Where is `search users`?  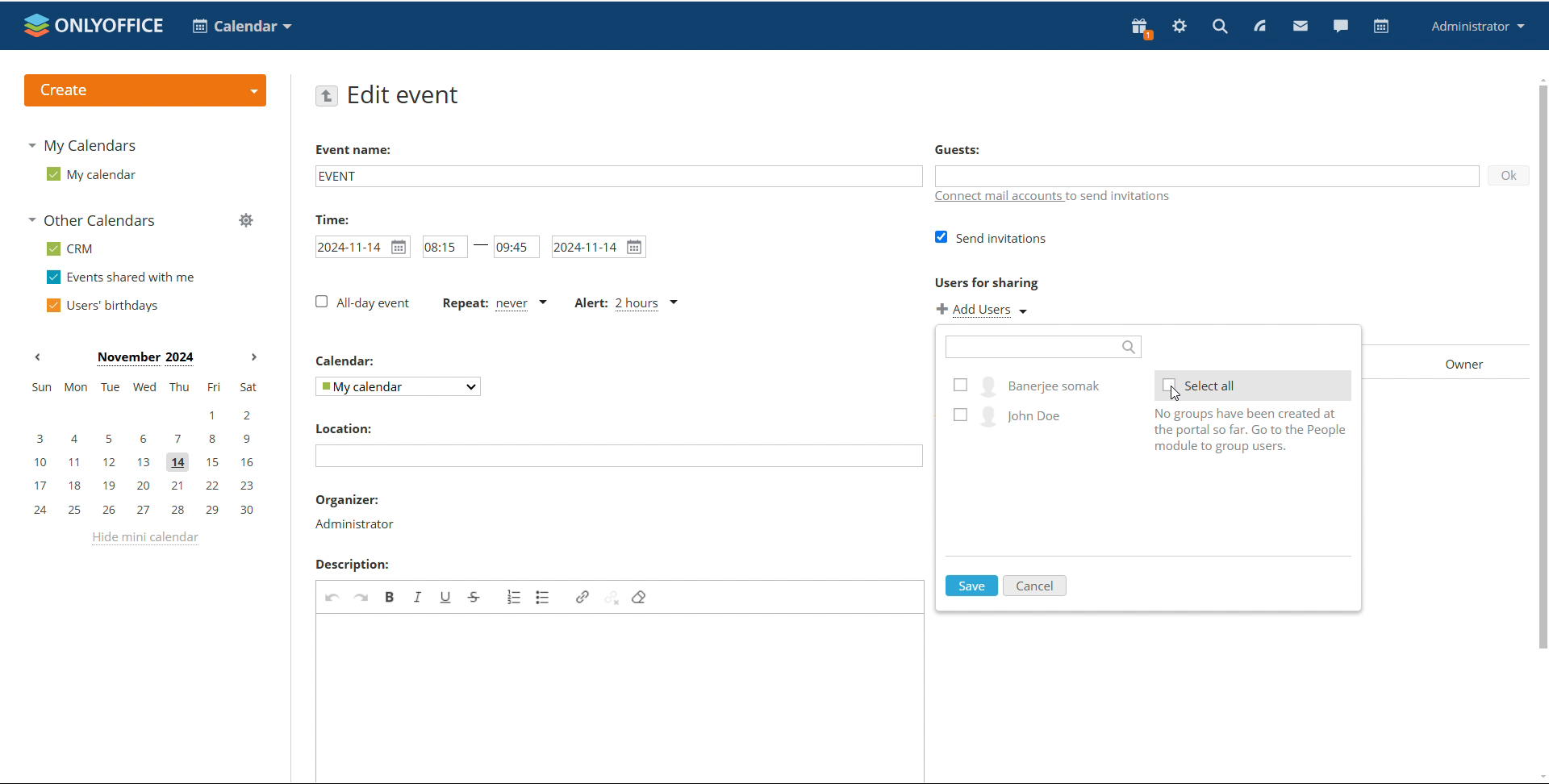
search users is located at coordinates (1045, 347).